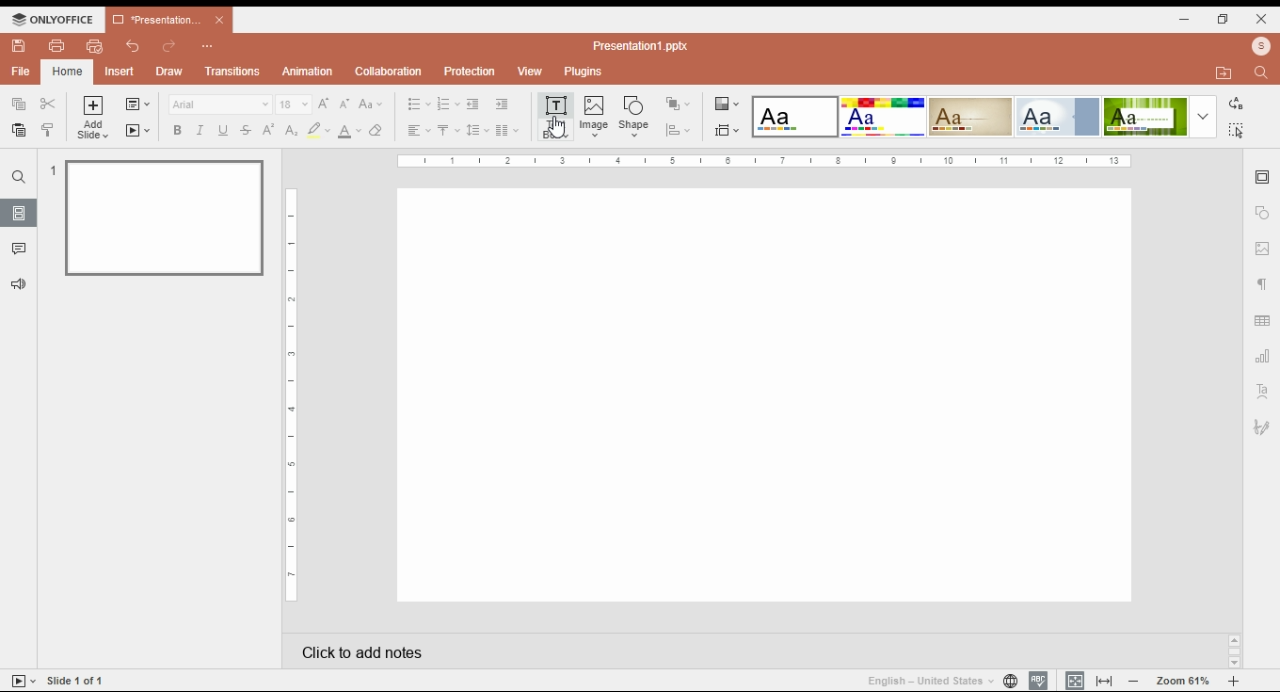 The image size is (1280, 692). I want to click on color theme, so click(1057, 117).